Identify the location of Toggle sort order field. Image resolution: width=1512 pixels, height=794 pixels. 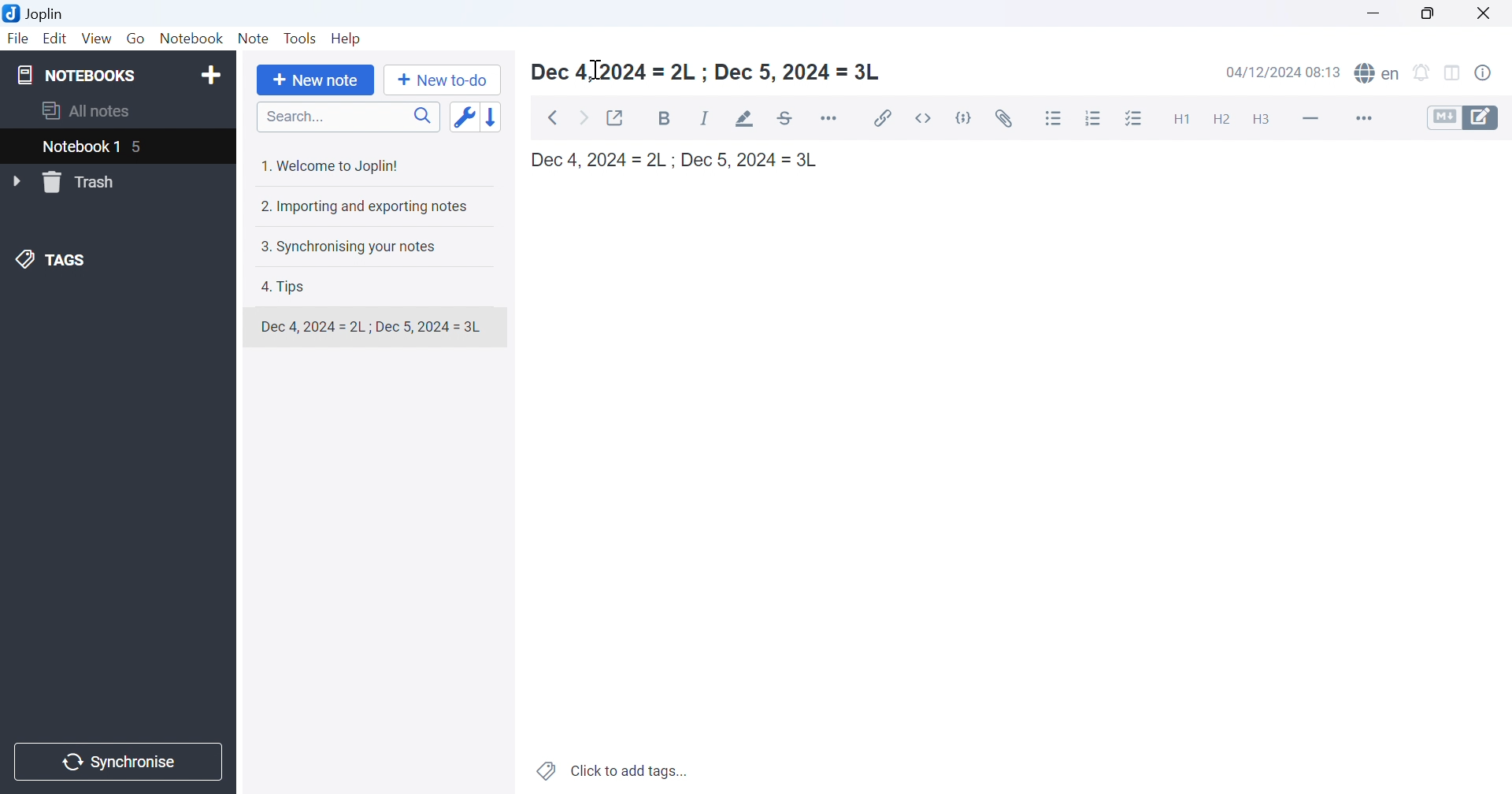
(462, 117).